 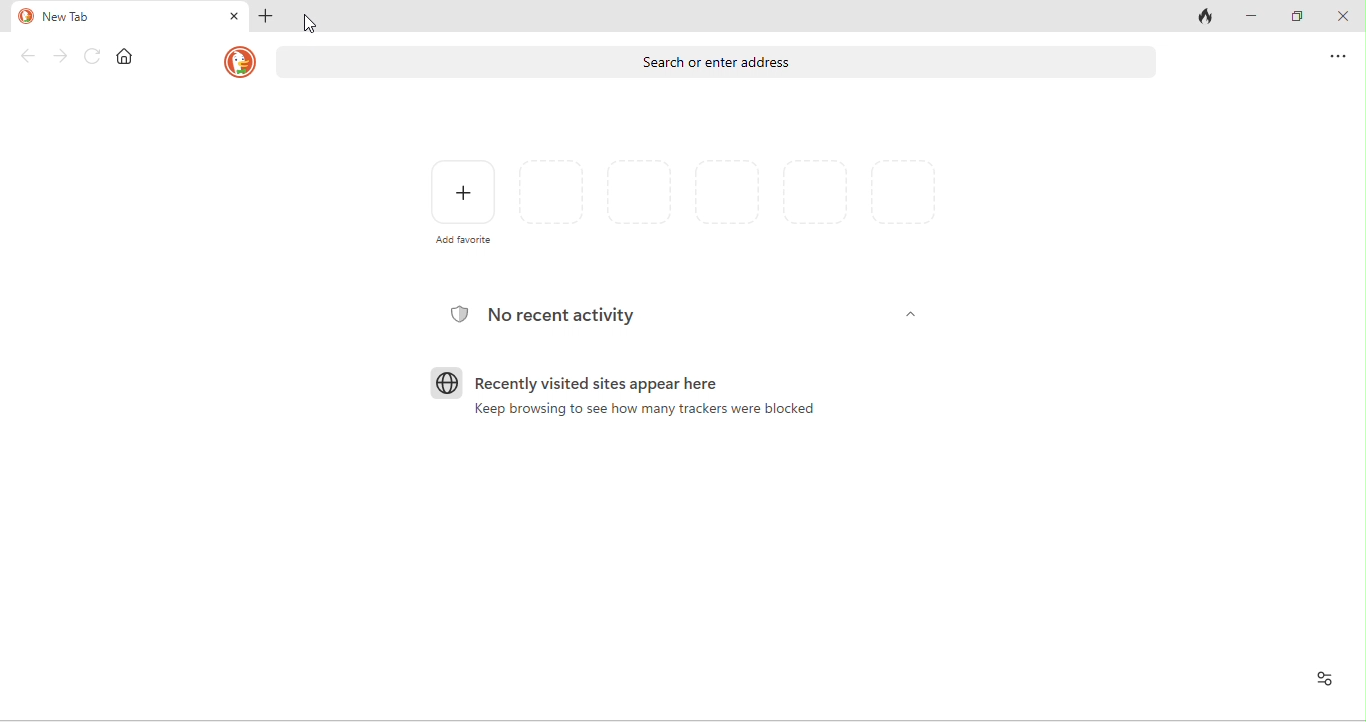 I want to click on close tab and clear data, so click(x=1206, y=14).